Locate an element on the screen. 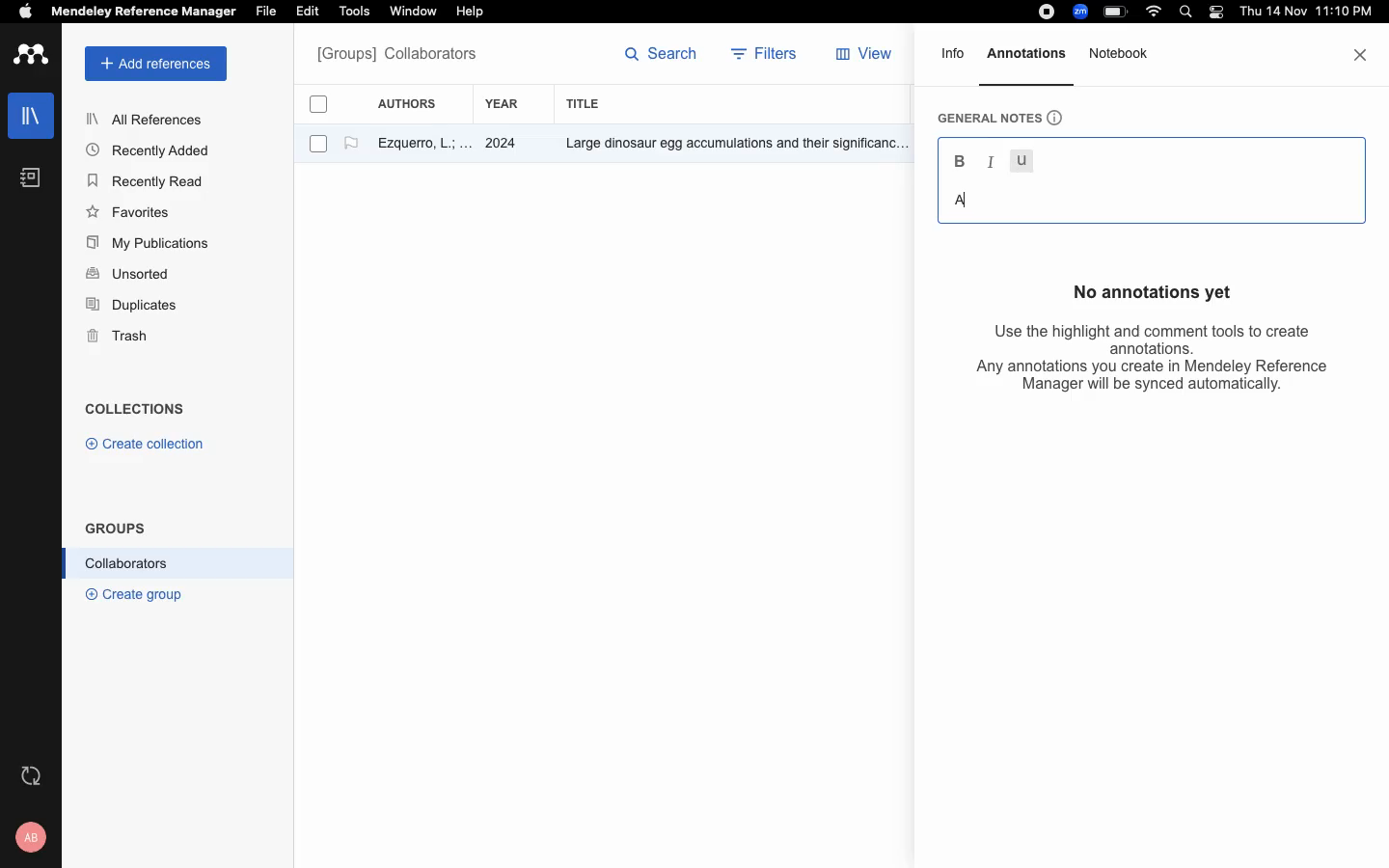 This screenshot has height=868, width=1389. recording is located at coordinates (1044, 13).